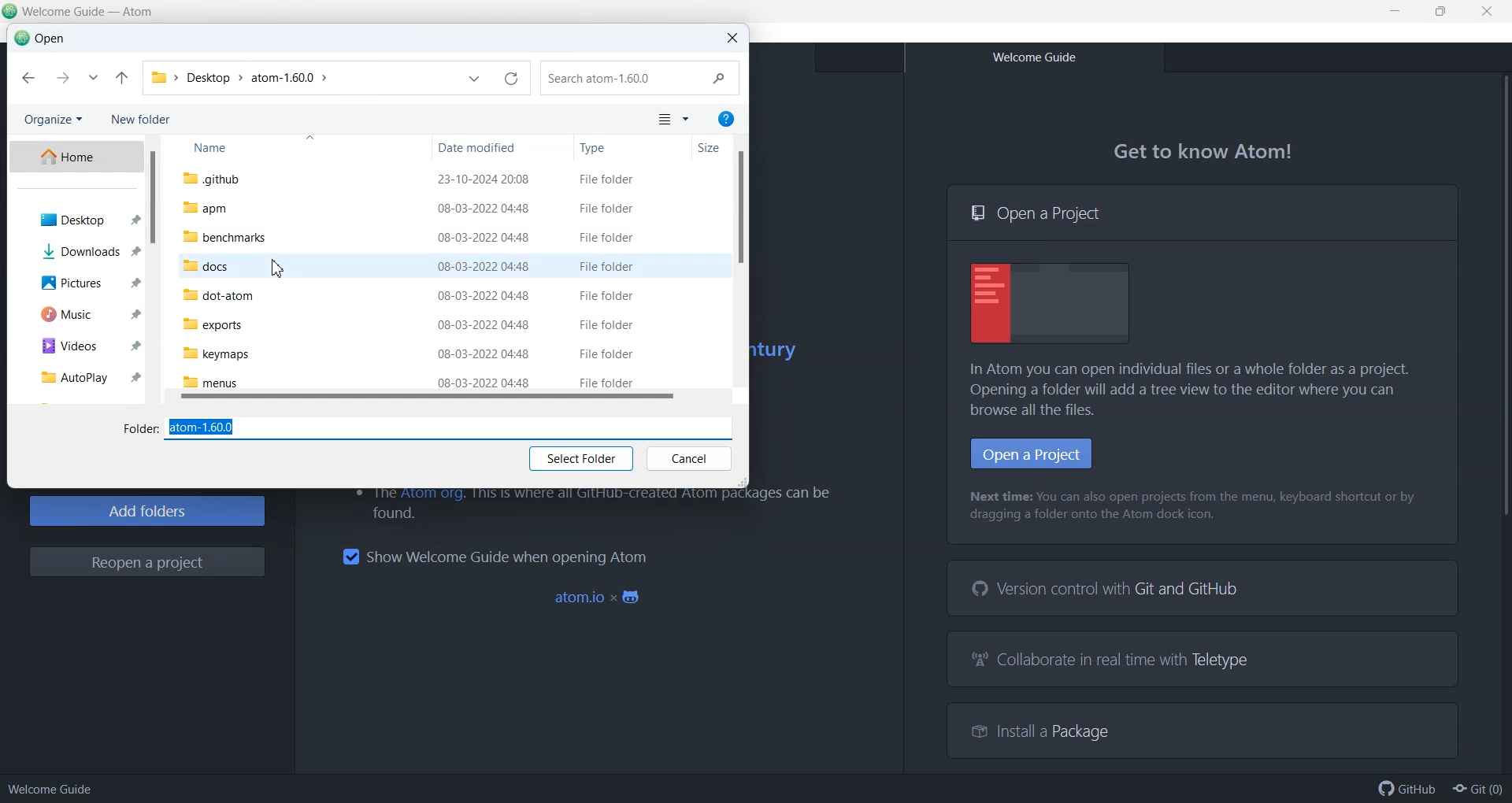 This screenshot has width=1512, height=803. What do you see at coordinates (1112, 661) in the screenshot?
I see `Collaborate in real time with Teletype` at bounding box center [1112, 661].